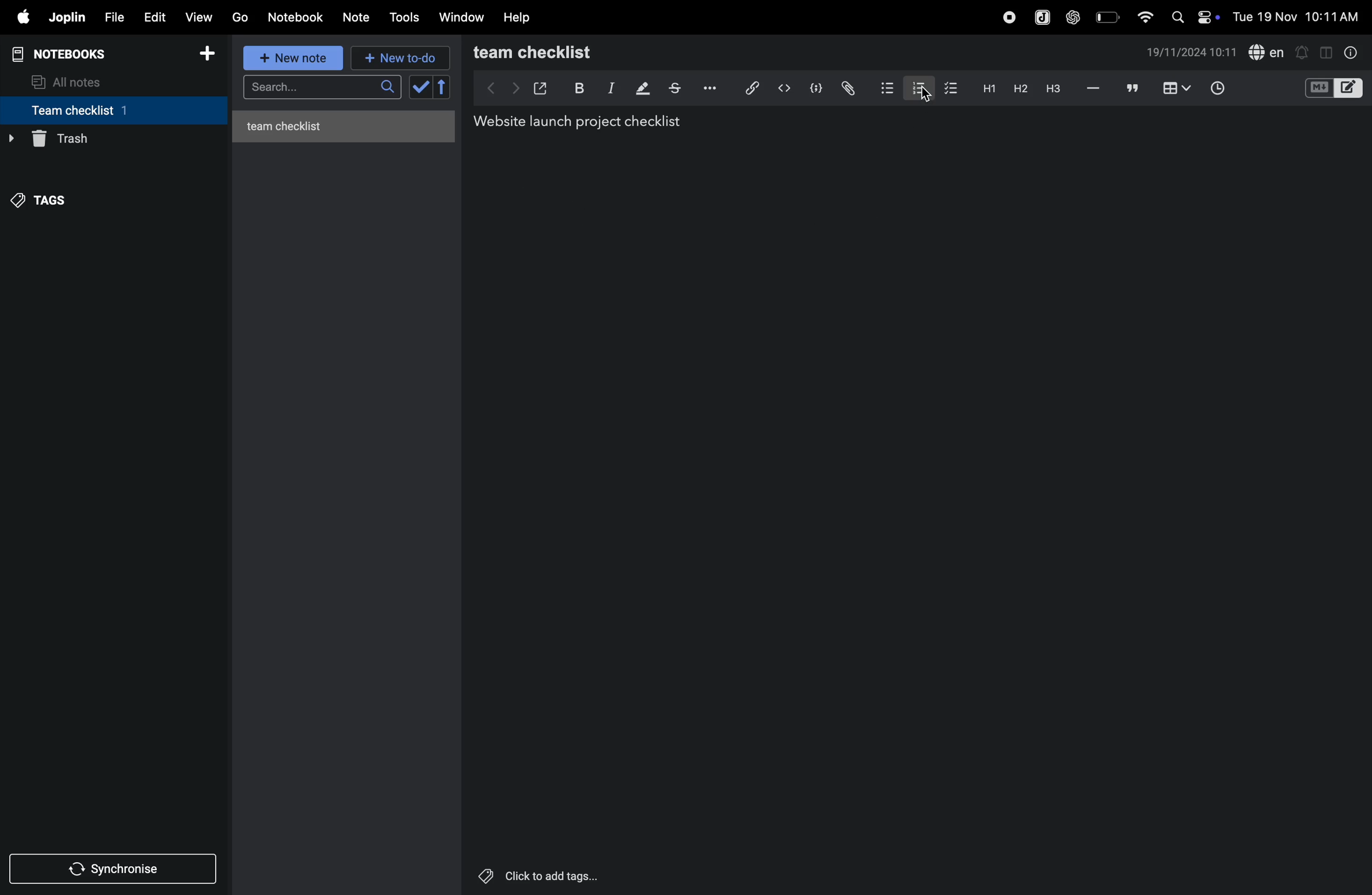  Describe the element at coordinates (641, 89) in the screenshot. I see `highlight` at that location.